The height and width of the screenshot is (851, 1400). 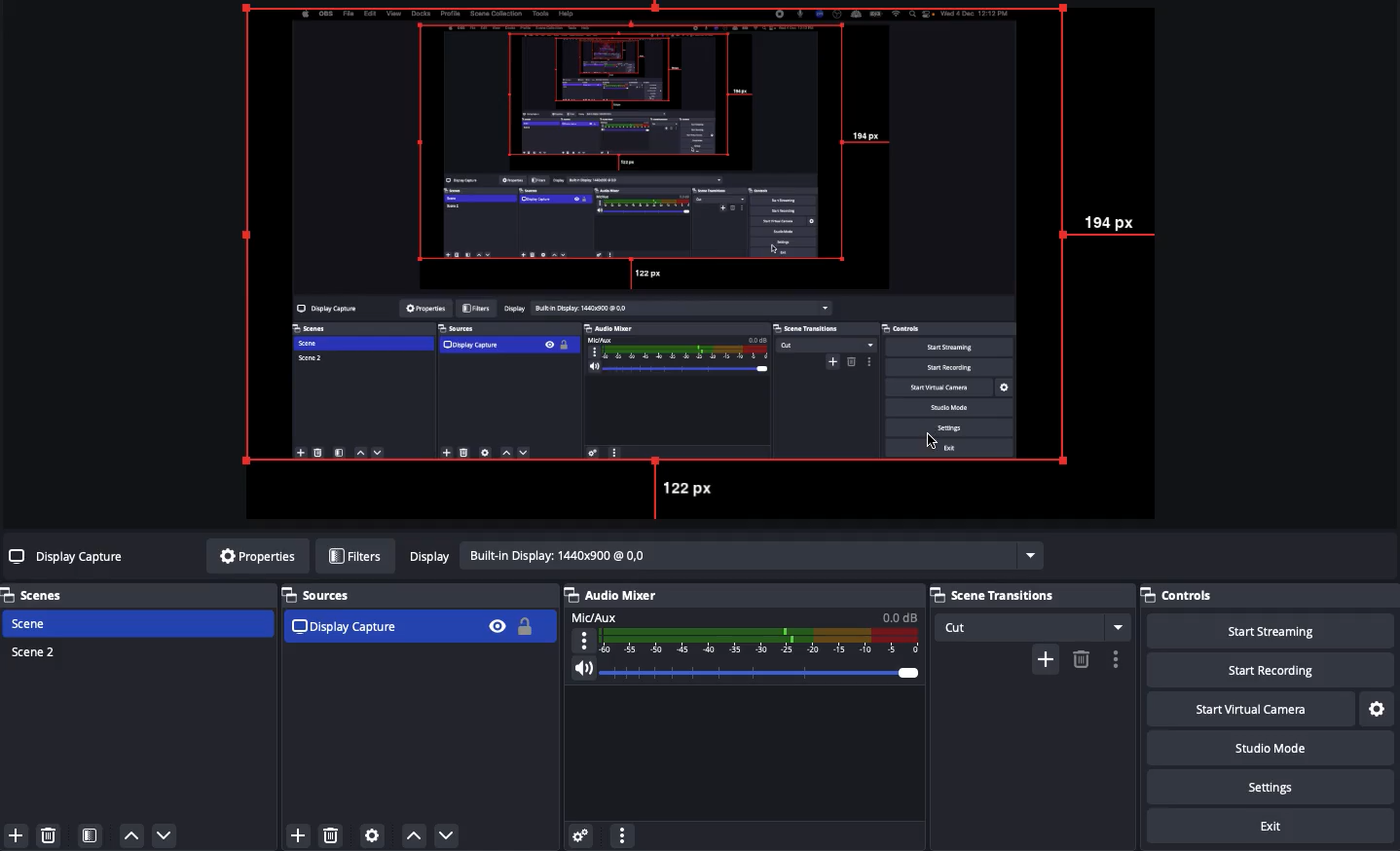 I want to click on Move up, so click(x=131, y=836).